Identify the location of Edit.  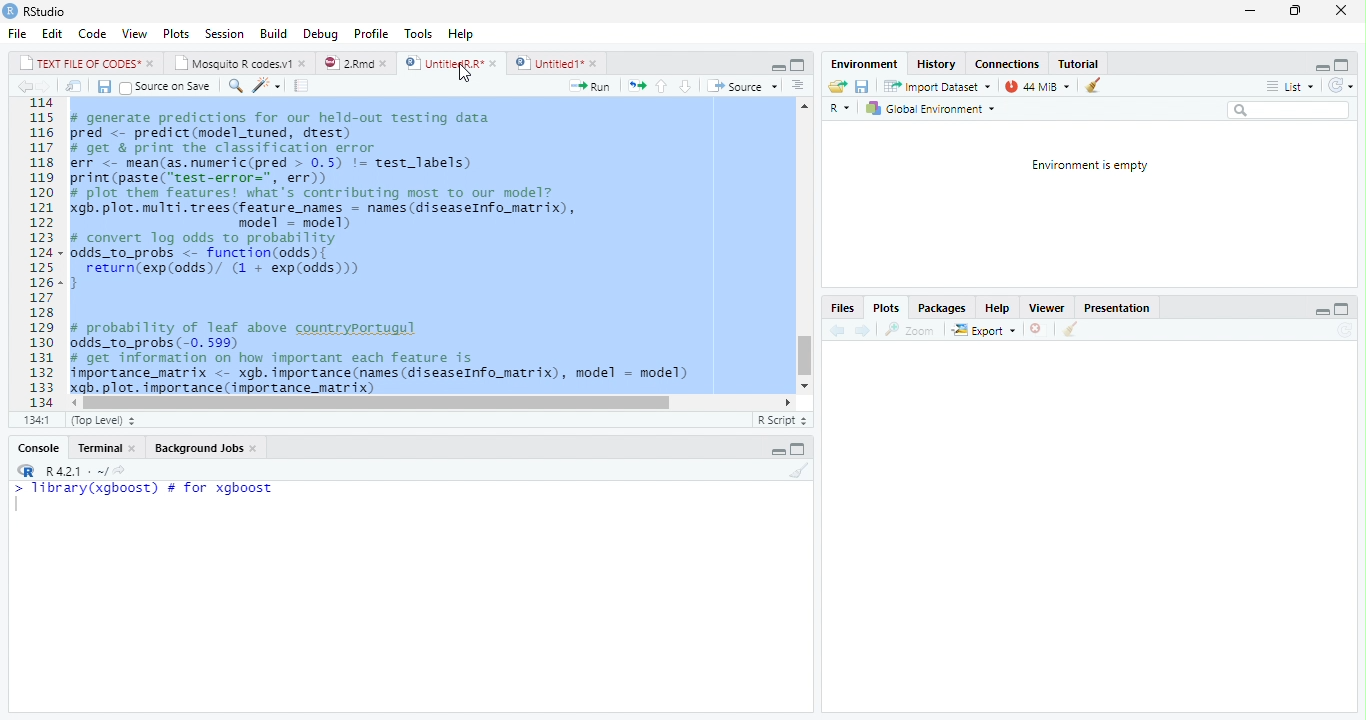
(50, 33).